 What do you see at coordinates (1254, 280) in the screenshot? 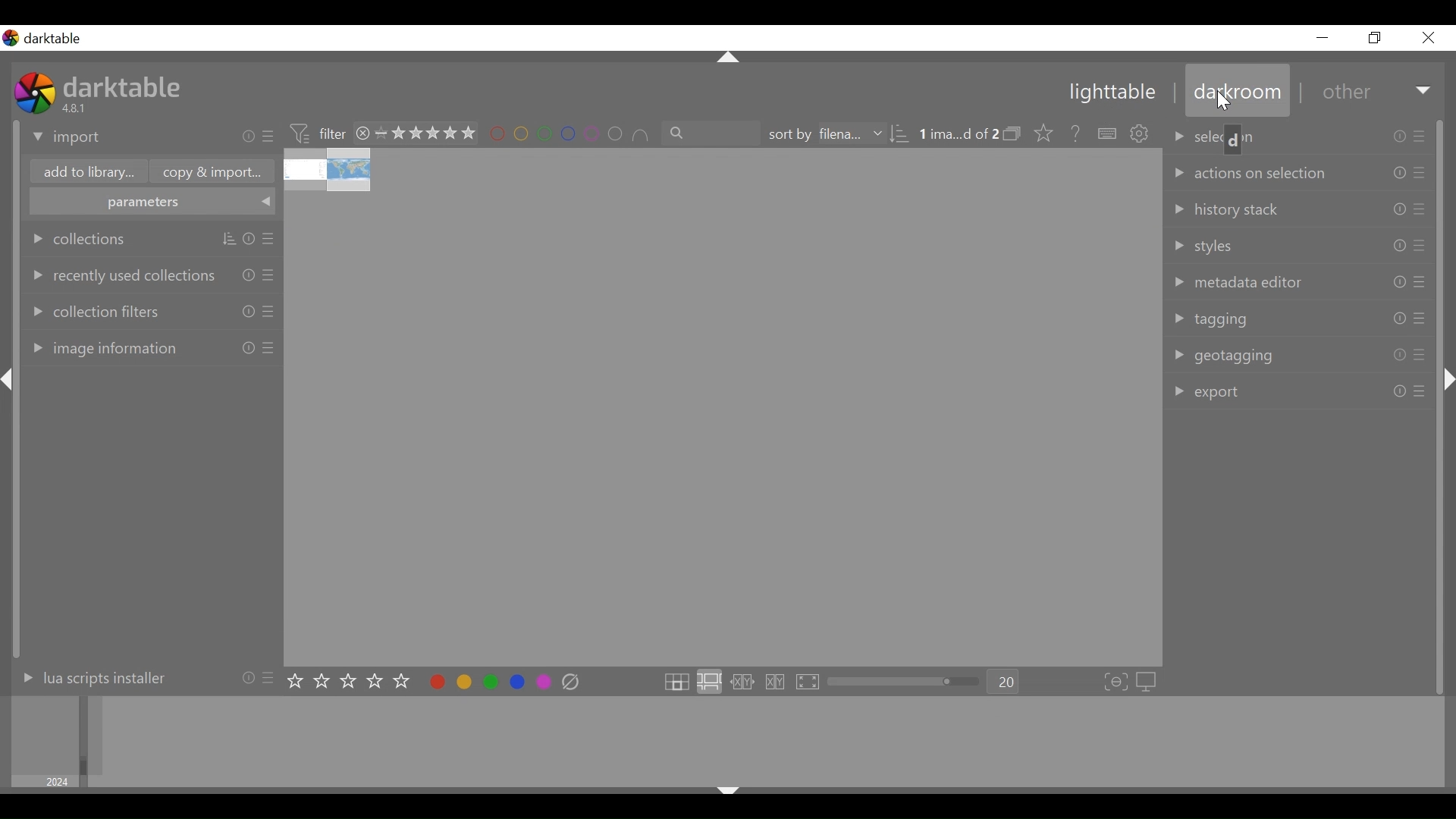
I see `metadata editor` at bounding box center [1254, 280].